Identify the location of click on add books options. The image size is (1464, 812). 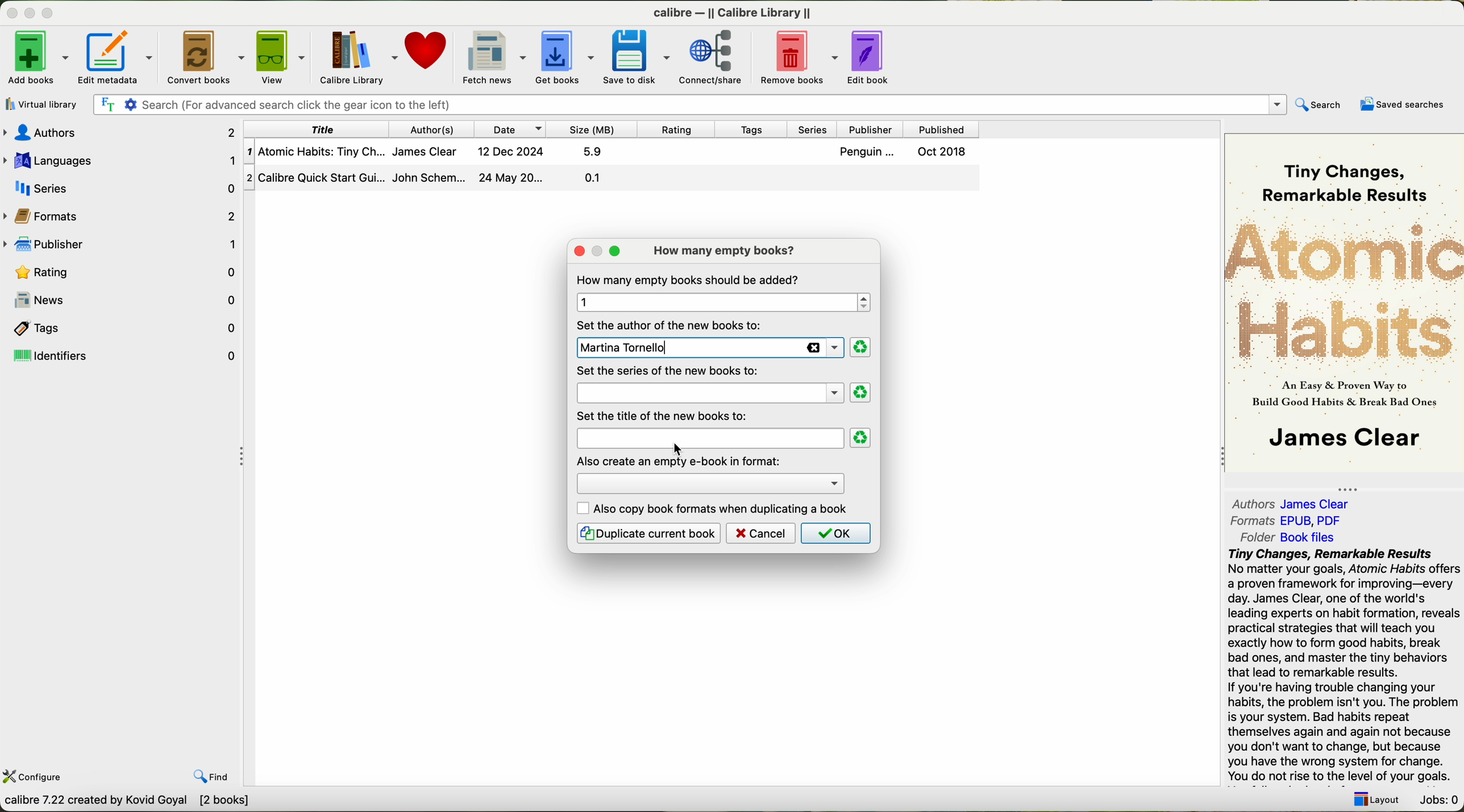
(38, 57).